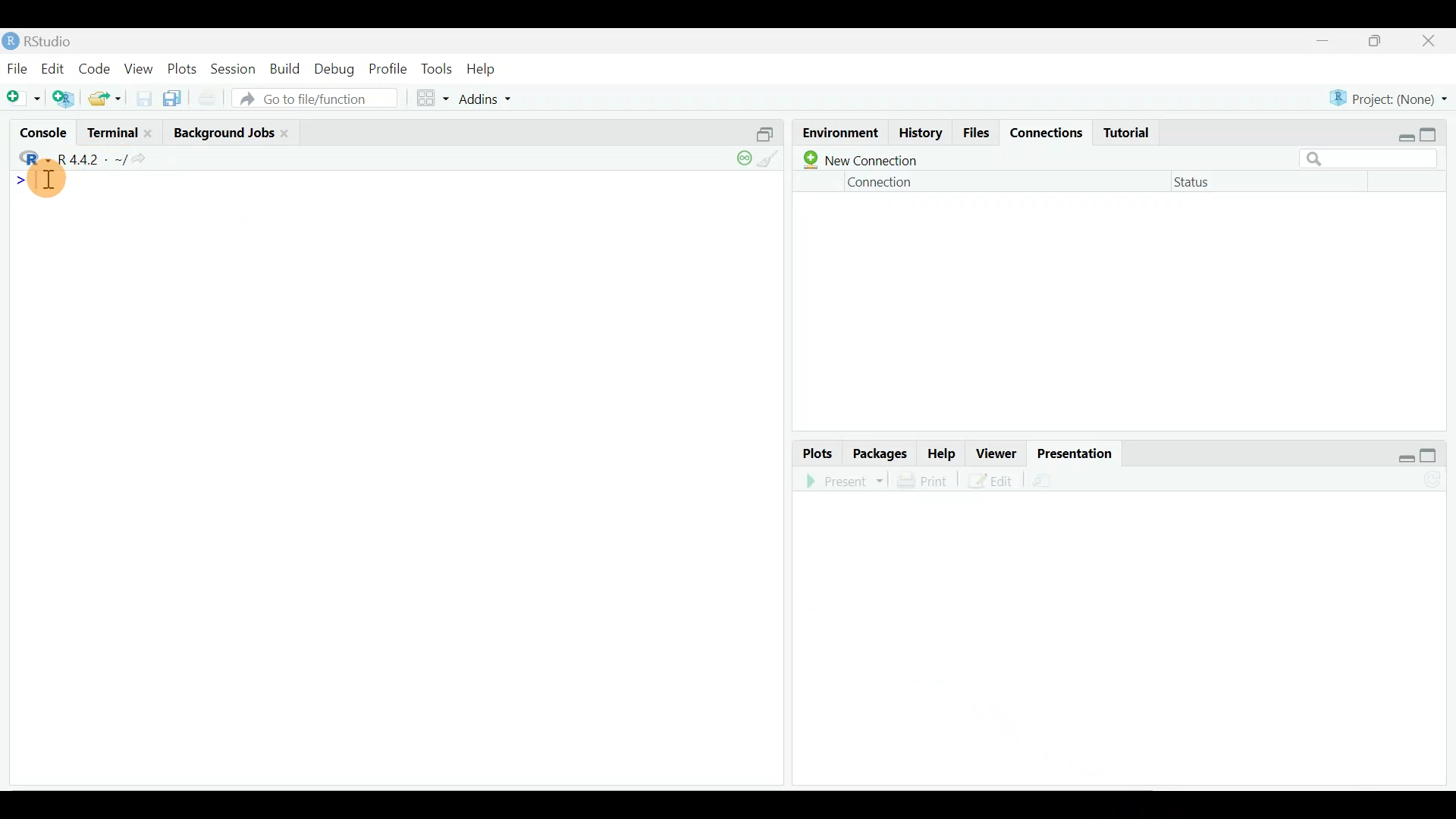  Describe the element at coordinates (55, 182) in the screenshot. I see `Text cursor` at that location.